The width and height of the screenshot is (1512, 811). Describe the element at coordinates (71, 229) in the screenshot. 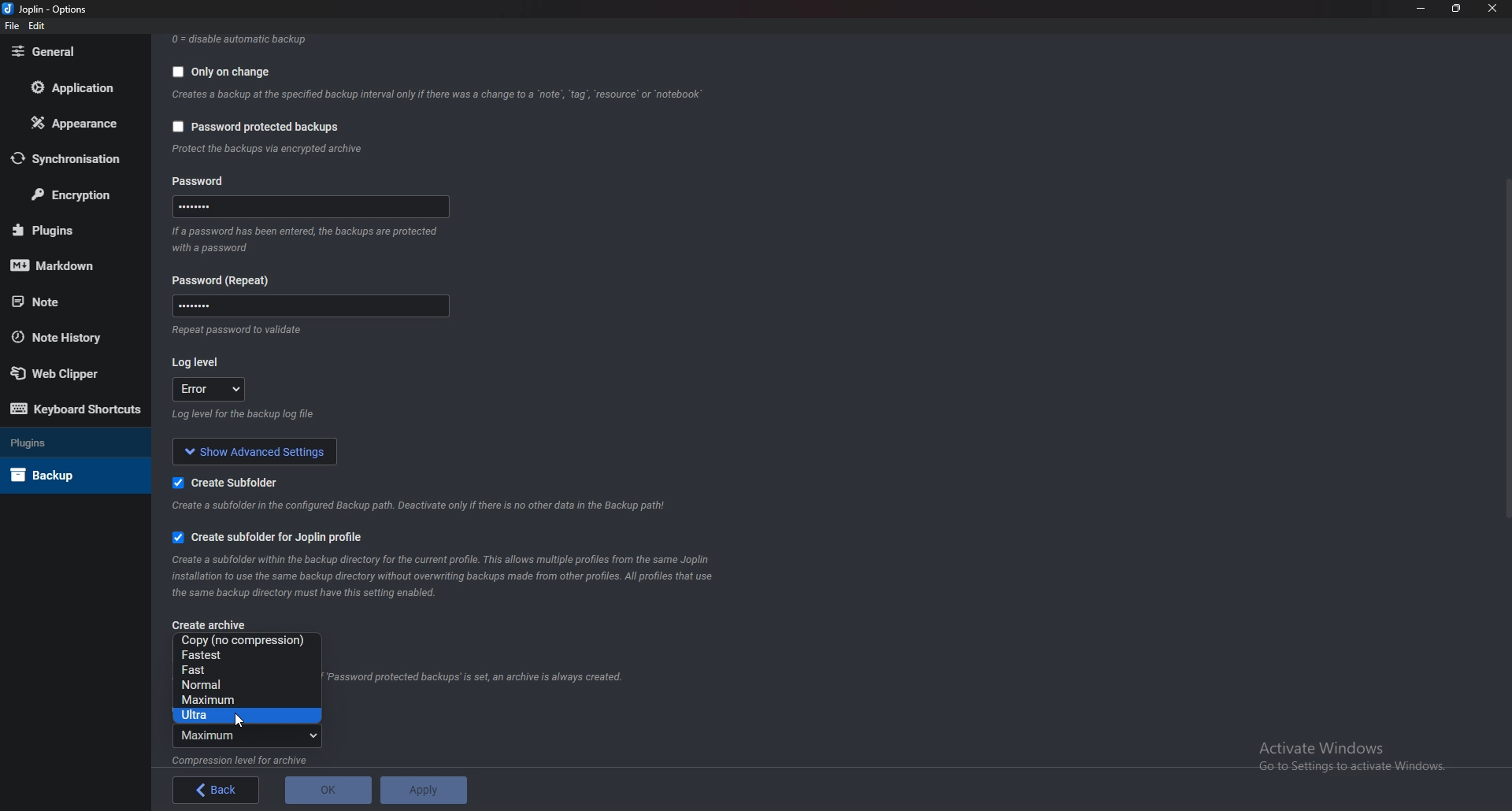

I see `Plugins` at that location.